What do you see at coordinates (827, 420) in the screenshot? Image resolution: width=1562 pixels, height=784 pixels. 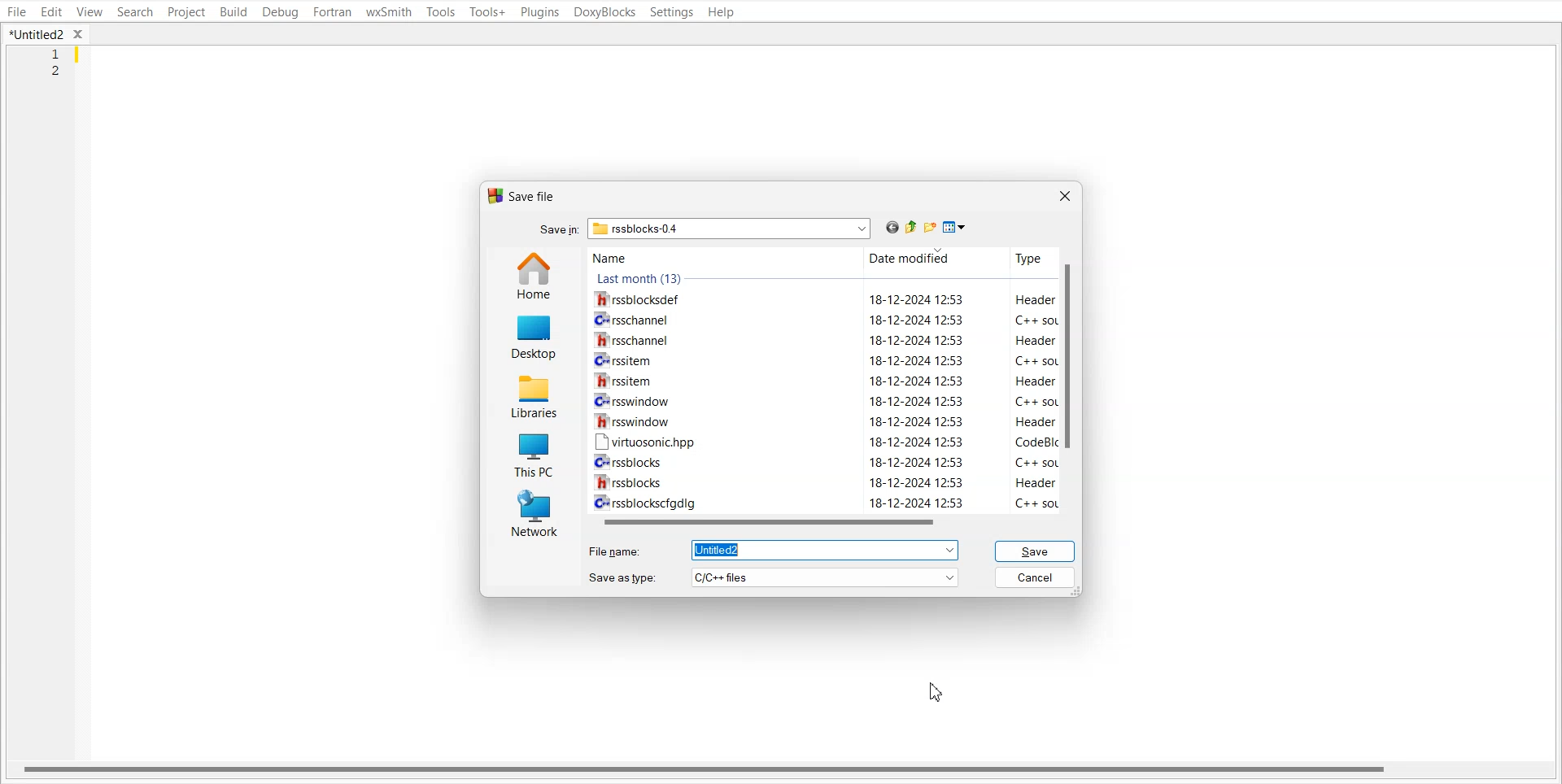 I see `# rsswindow 18-12-2024 12:53 Header` at bounding box center [827, 420].